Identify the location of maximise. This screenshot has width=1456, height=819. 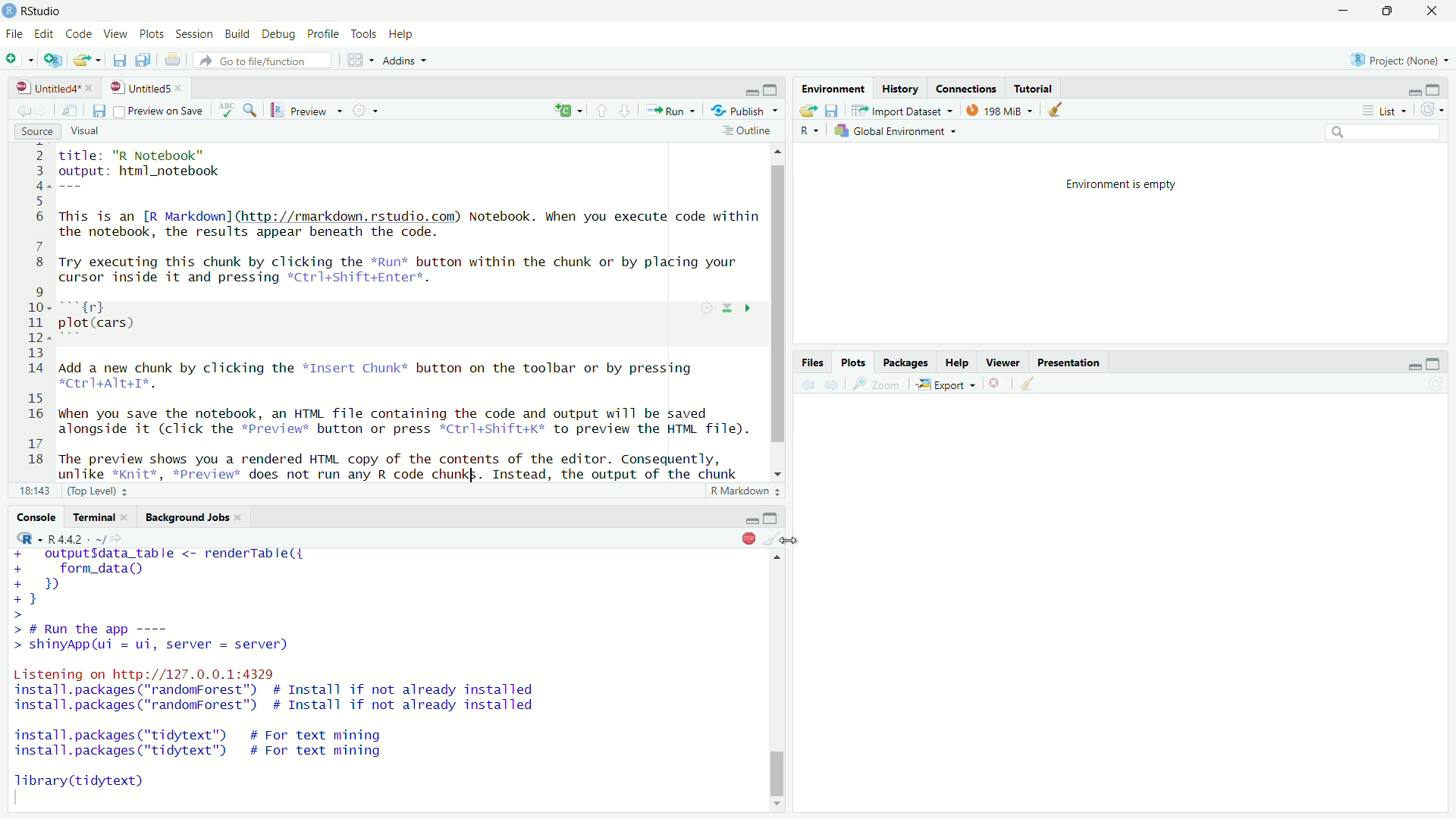
(1385, 11).